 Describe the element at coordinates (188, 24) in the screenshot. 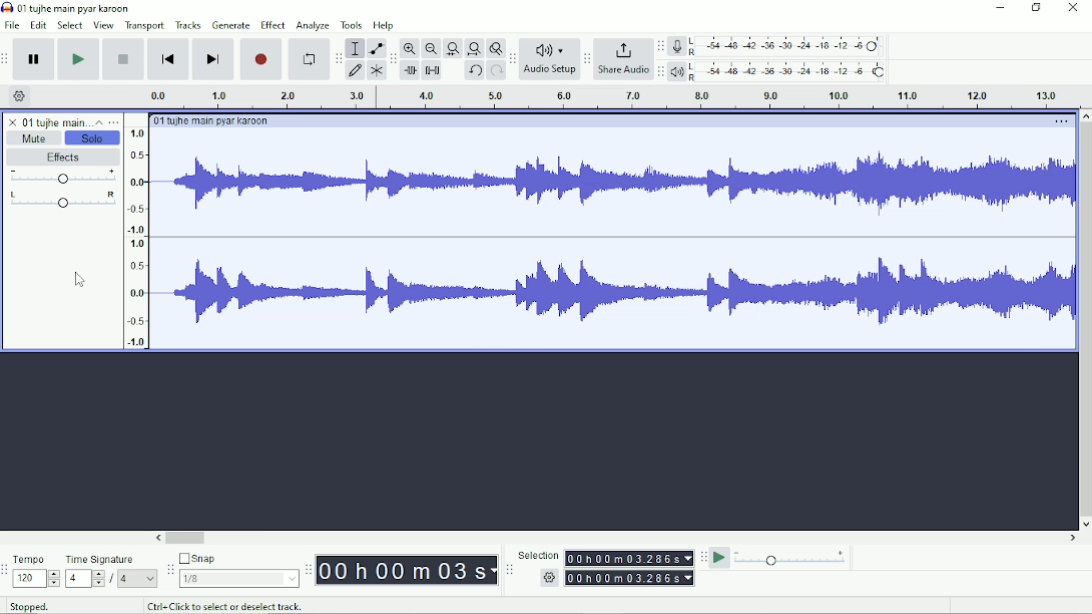

I see `Tracks` at that location.